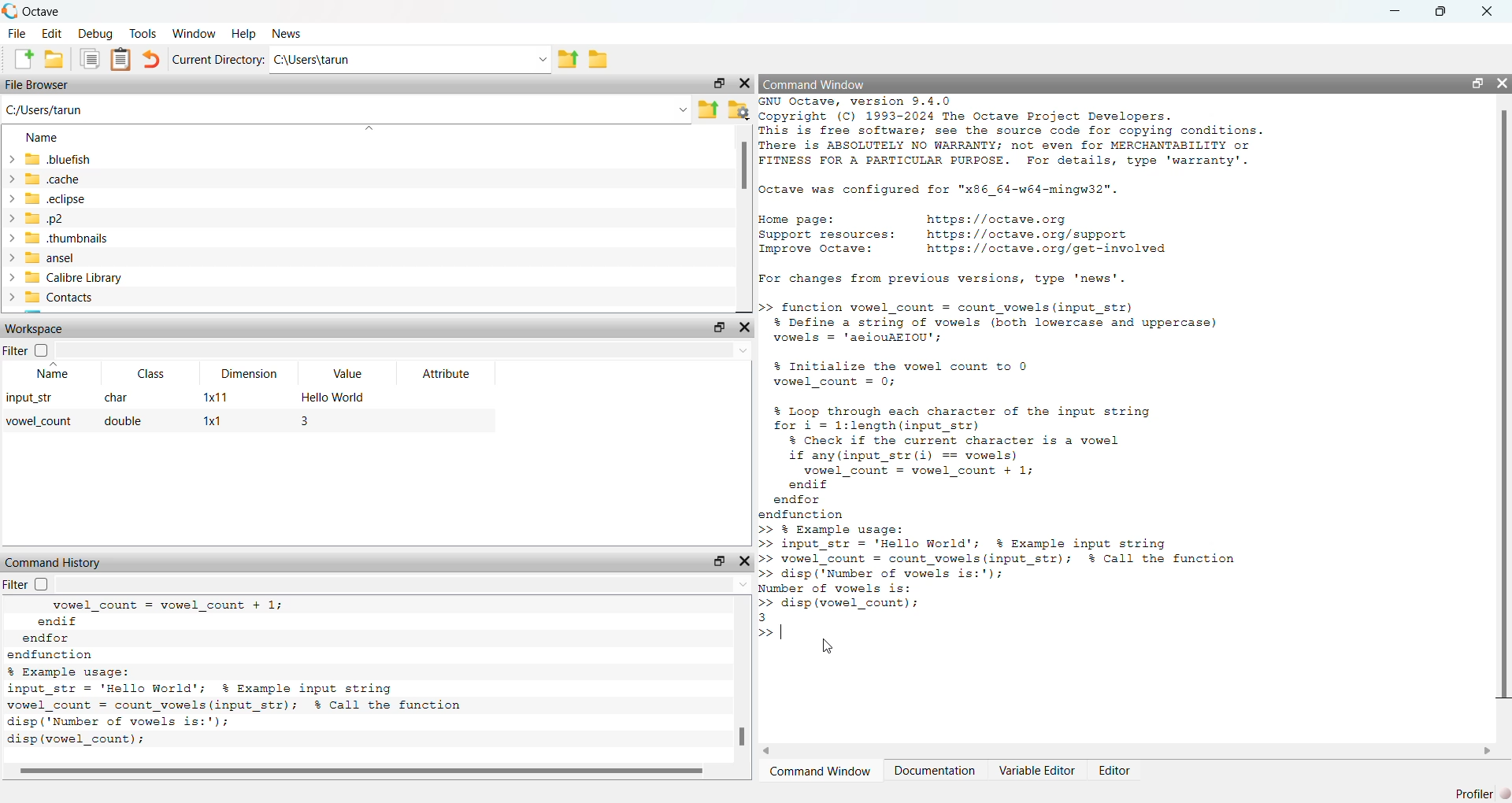 Image resolution: width=1512 pixels, height=803 pixels. What do you see at coordinates (1127, 751) in the screenshot?
I see `horizontal scroll bar` at bounding box center [1127, 751].